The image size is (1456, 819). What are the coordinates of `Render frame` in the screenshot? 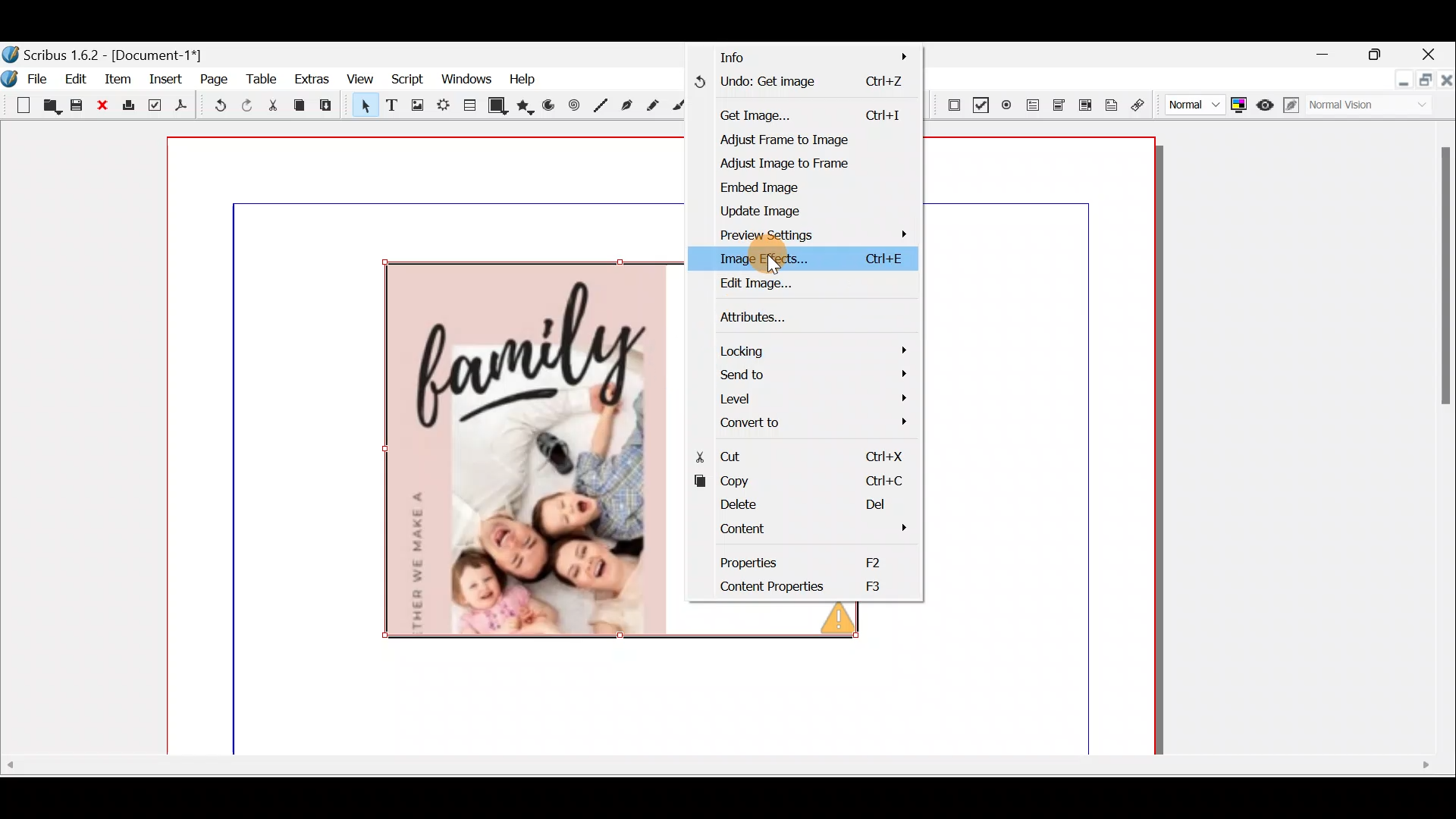 It's located at (441, 105).